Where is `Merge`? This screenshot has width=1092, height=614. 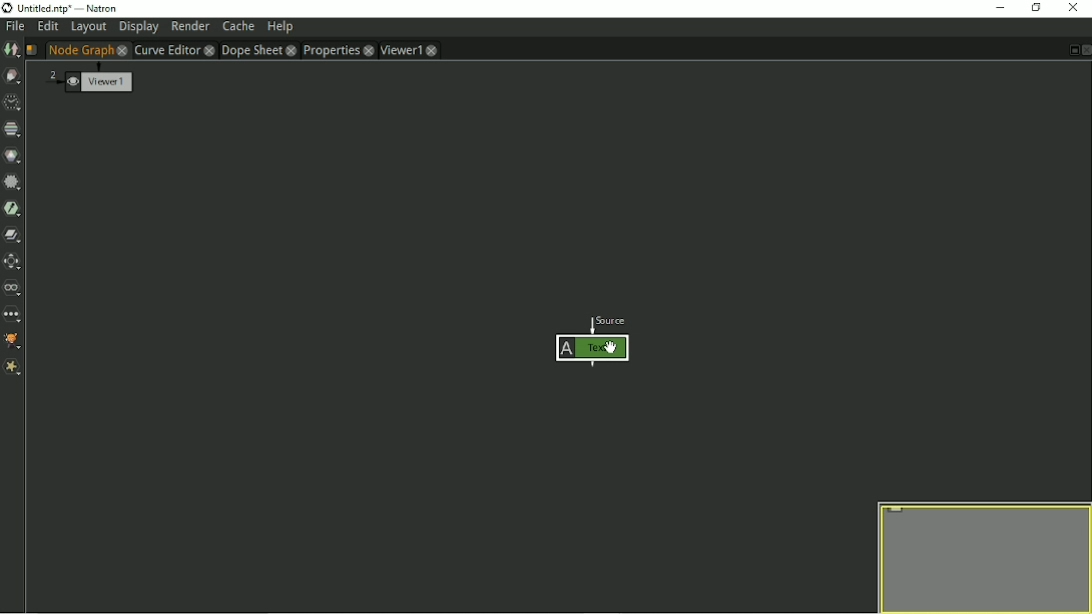 Merge is located at coordinates (13, 236).